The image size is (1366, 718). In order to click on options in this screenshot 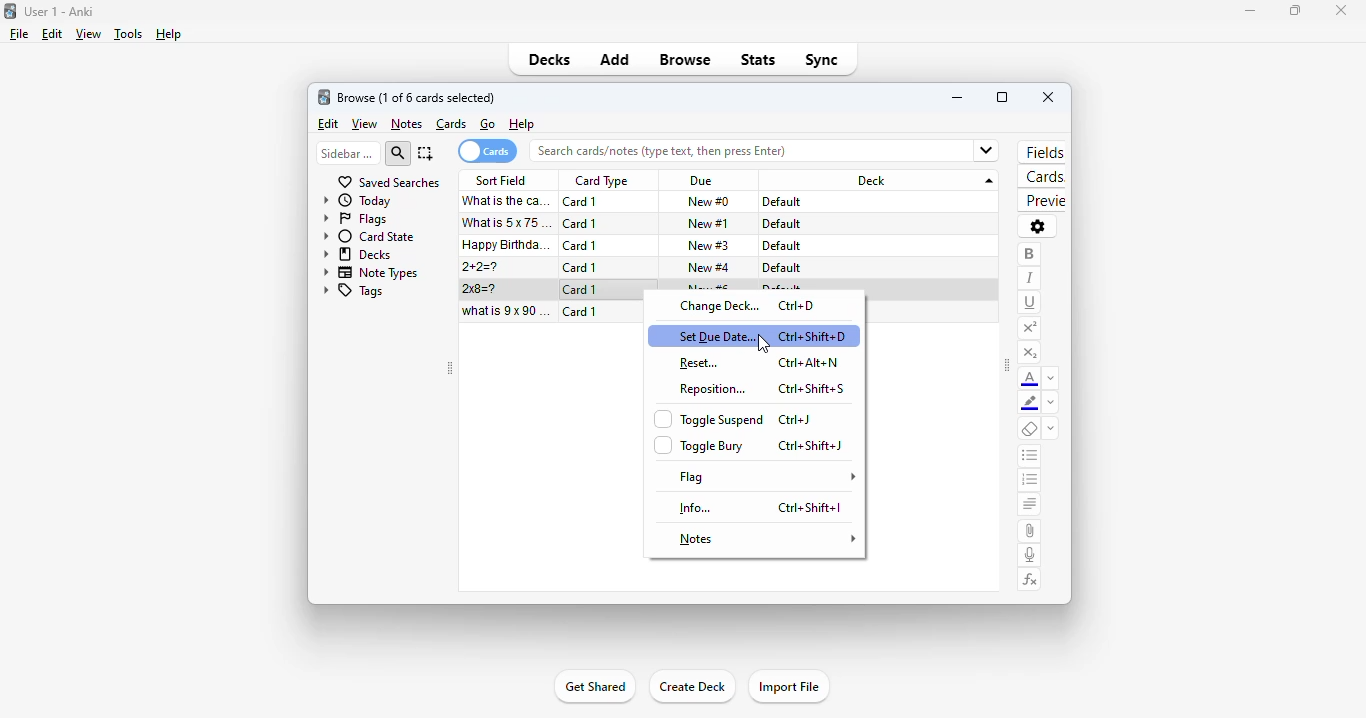, I will do `click(1037, 226)`.